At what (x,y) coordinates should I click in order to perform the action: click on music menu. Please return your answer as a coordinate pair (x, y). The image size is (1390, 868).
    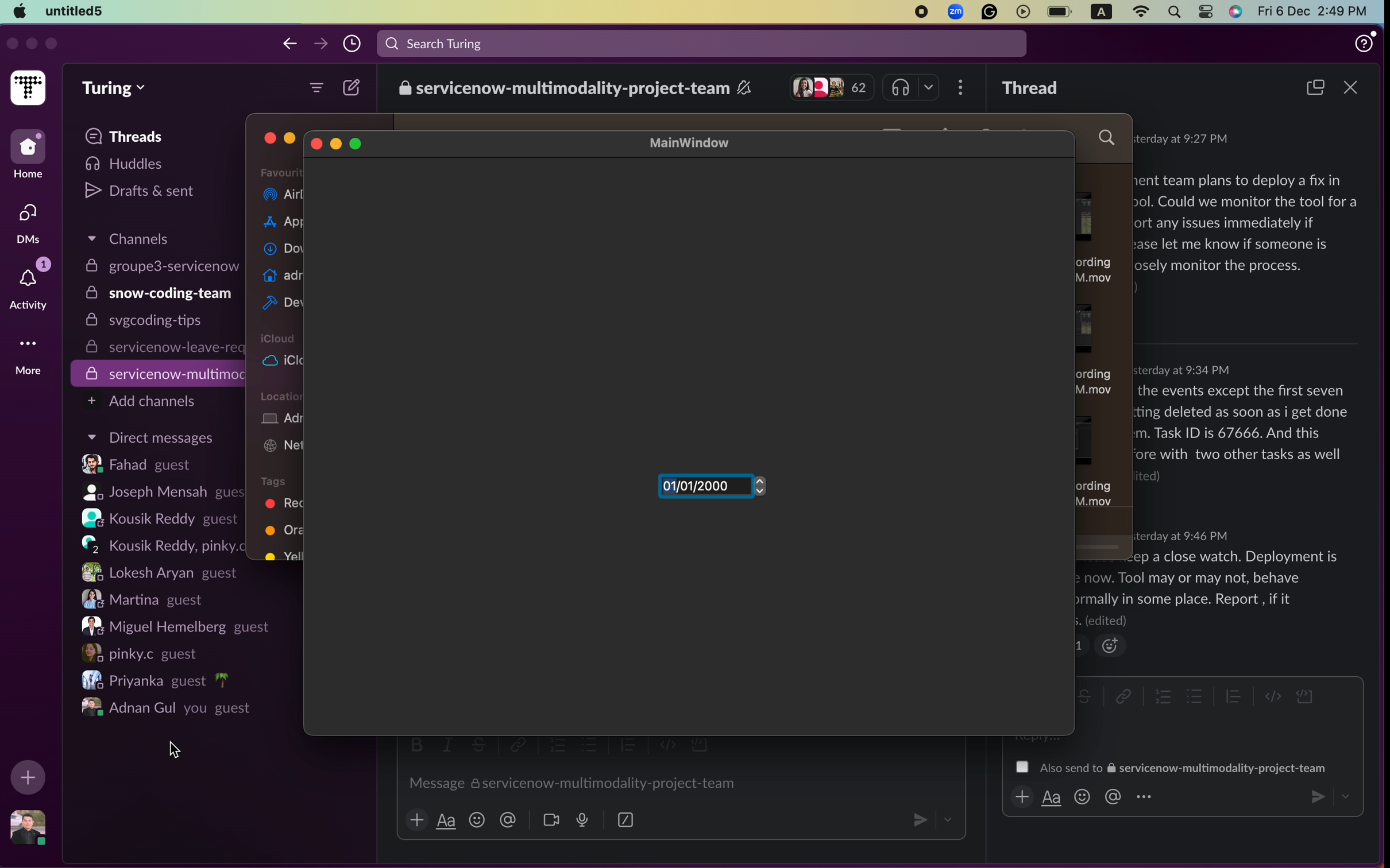
    Looking at the image, I should click on (913, 87).